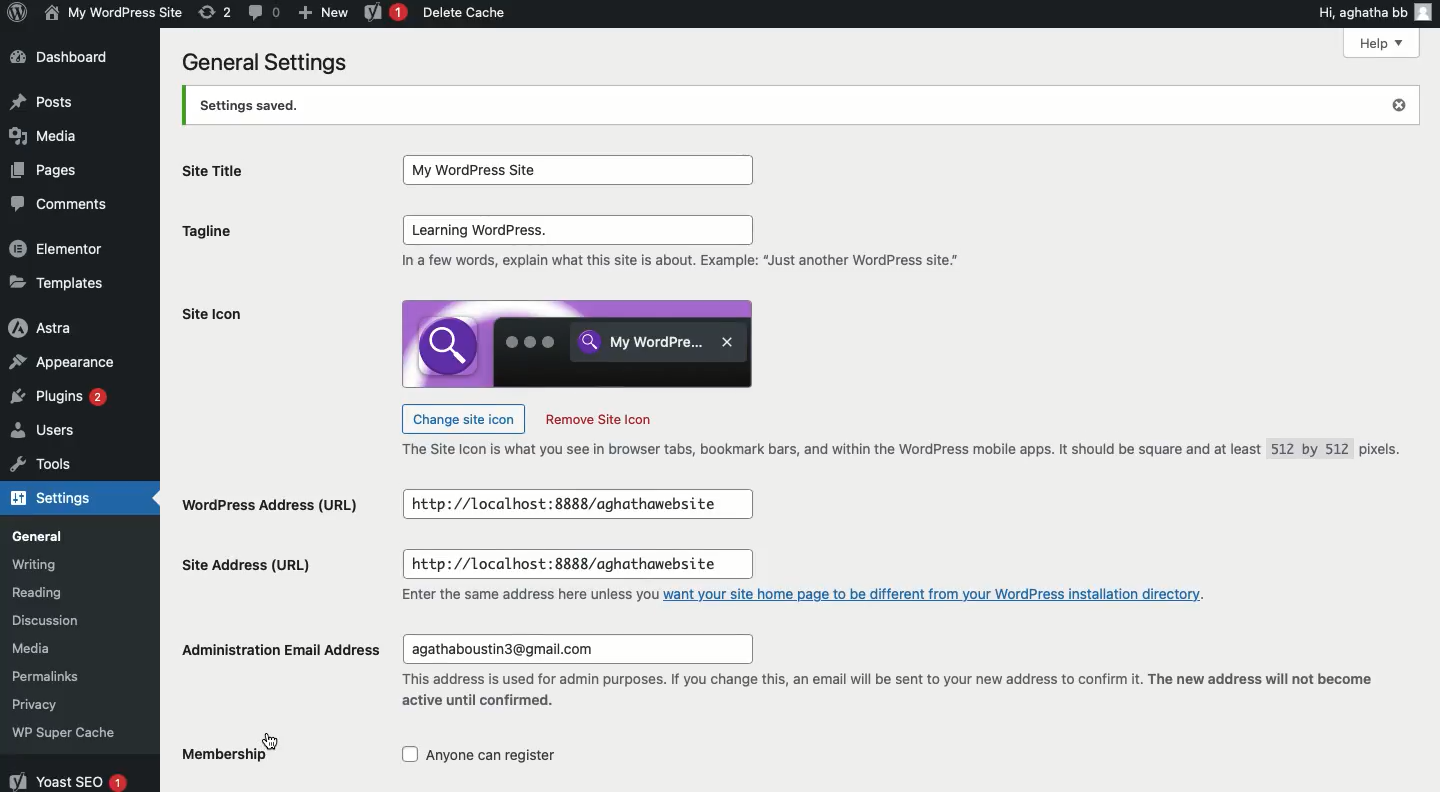 The width and height of the screenshot is (1440, 792). I want to click on want your site home page to be different from your WordPress installation directory., so click(943, 599).